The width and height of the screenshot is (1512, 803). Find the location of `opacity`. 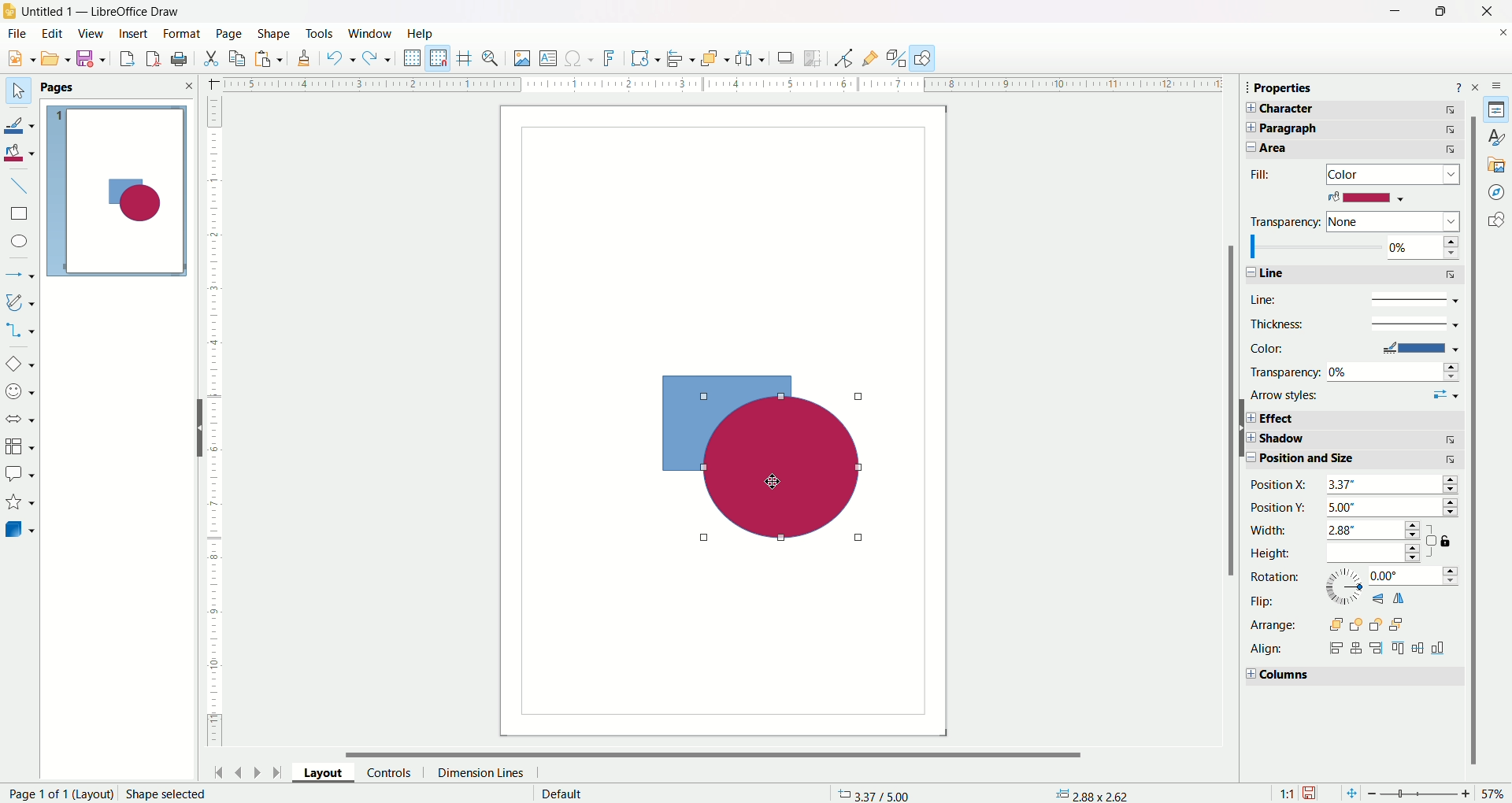

opacity is located at coordinates (1353, 248).